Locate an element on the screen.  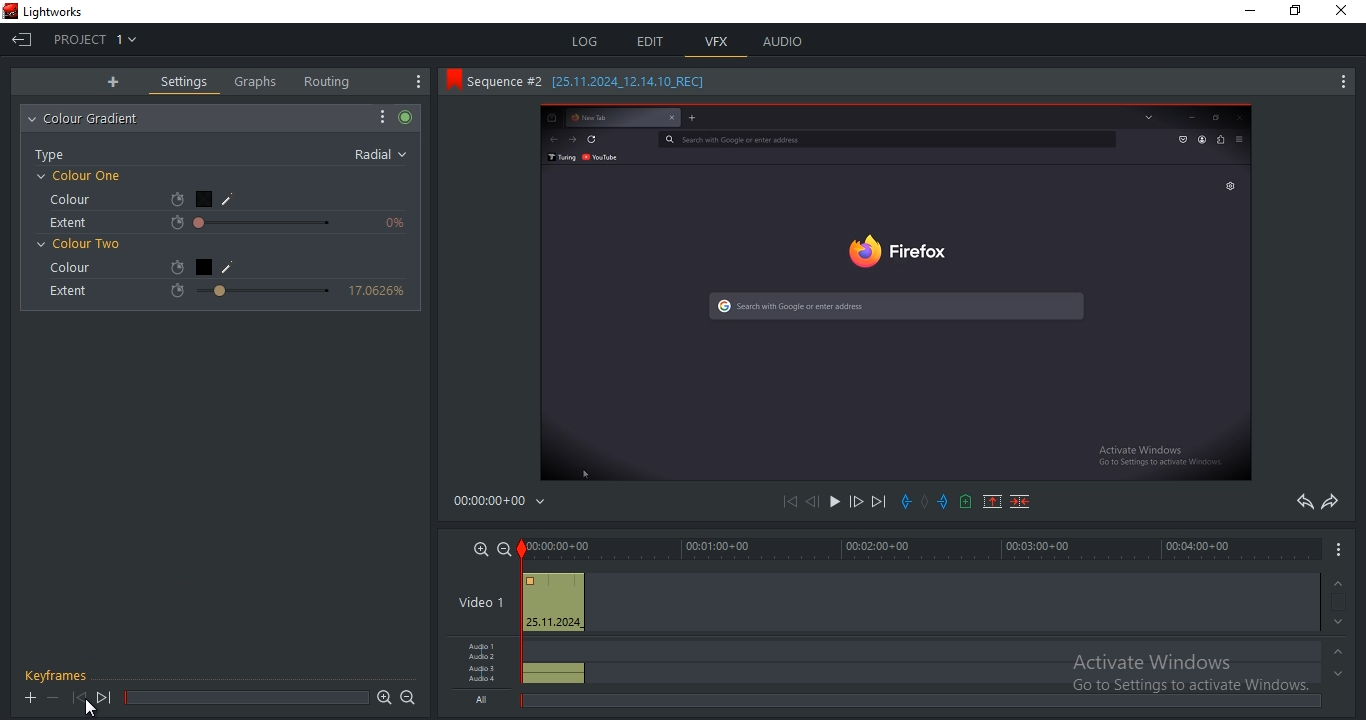
settings is located at coordinates (187, 82).